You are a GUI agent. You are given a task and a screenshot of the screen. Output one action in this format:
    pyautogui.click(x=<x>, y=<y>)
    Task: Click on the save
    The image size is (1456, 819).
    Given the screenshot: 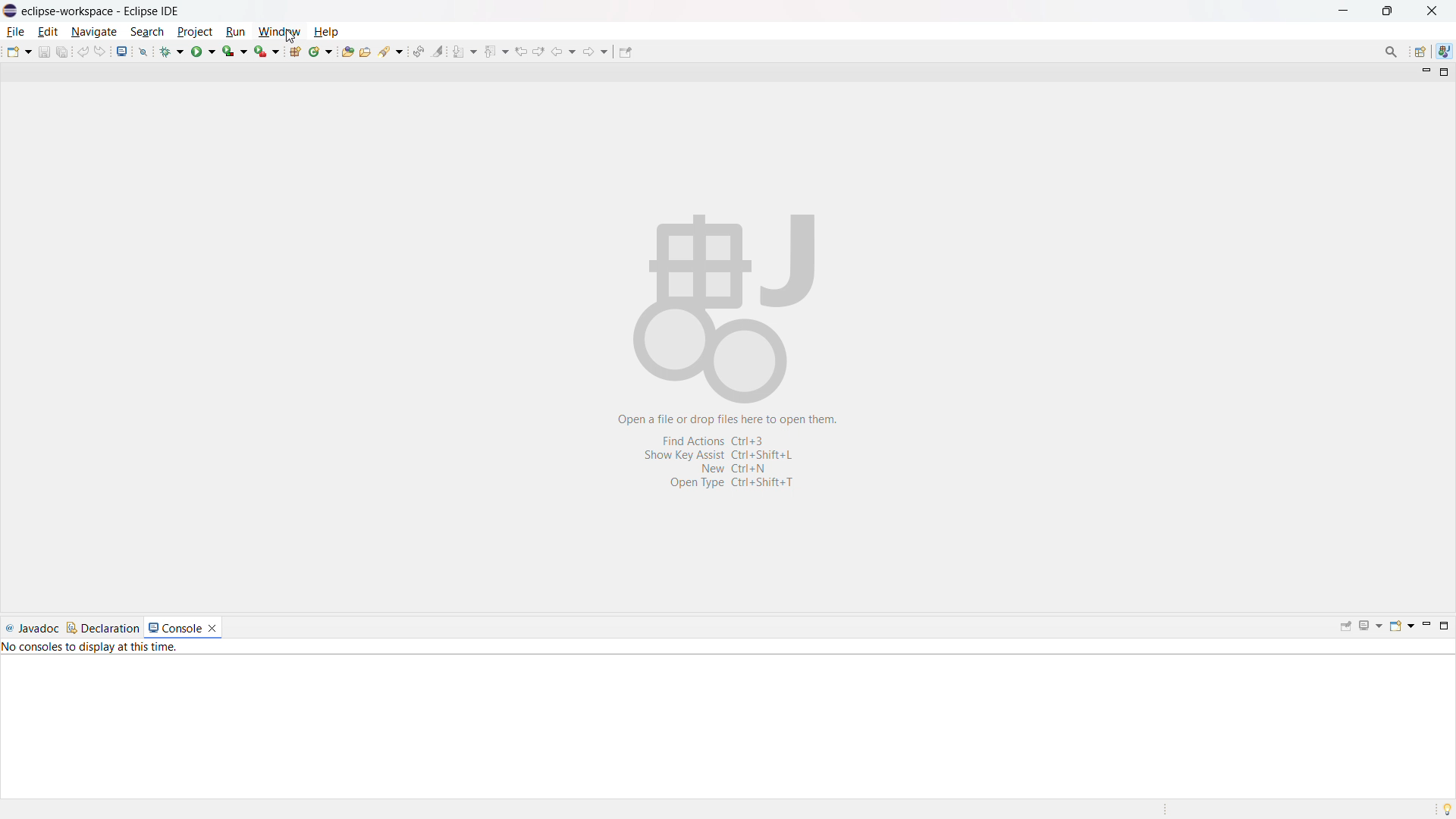 What is the action you would take?
    pyautogui.click(x=43, y=52)
    